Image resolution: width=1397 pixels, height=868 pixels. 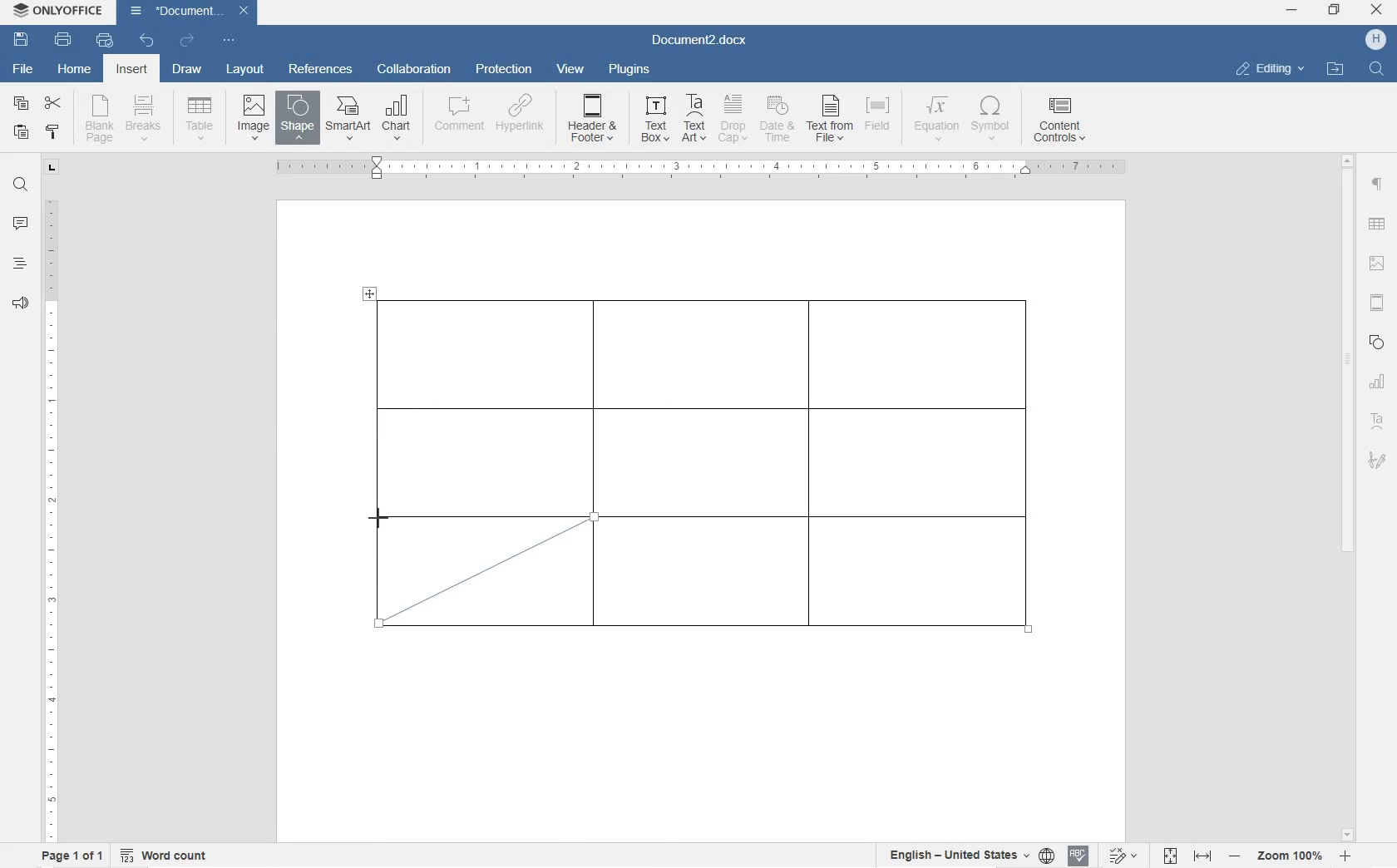 What do you see at coordinates (53, 170) in the screenshot?
I see `tab` at bounding box center [53, 170].